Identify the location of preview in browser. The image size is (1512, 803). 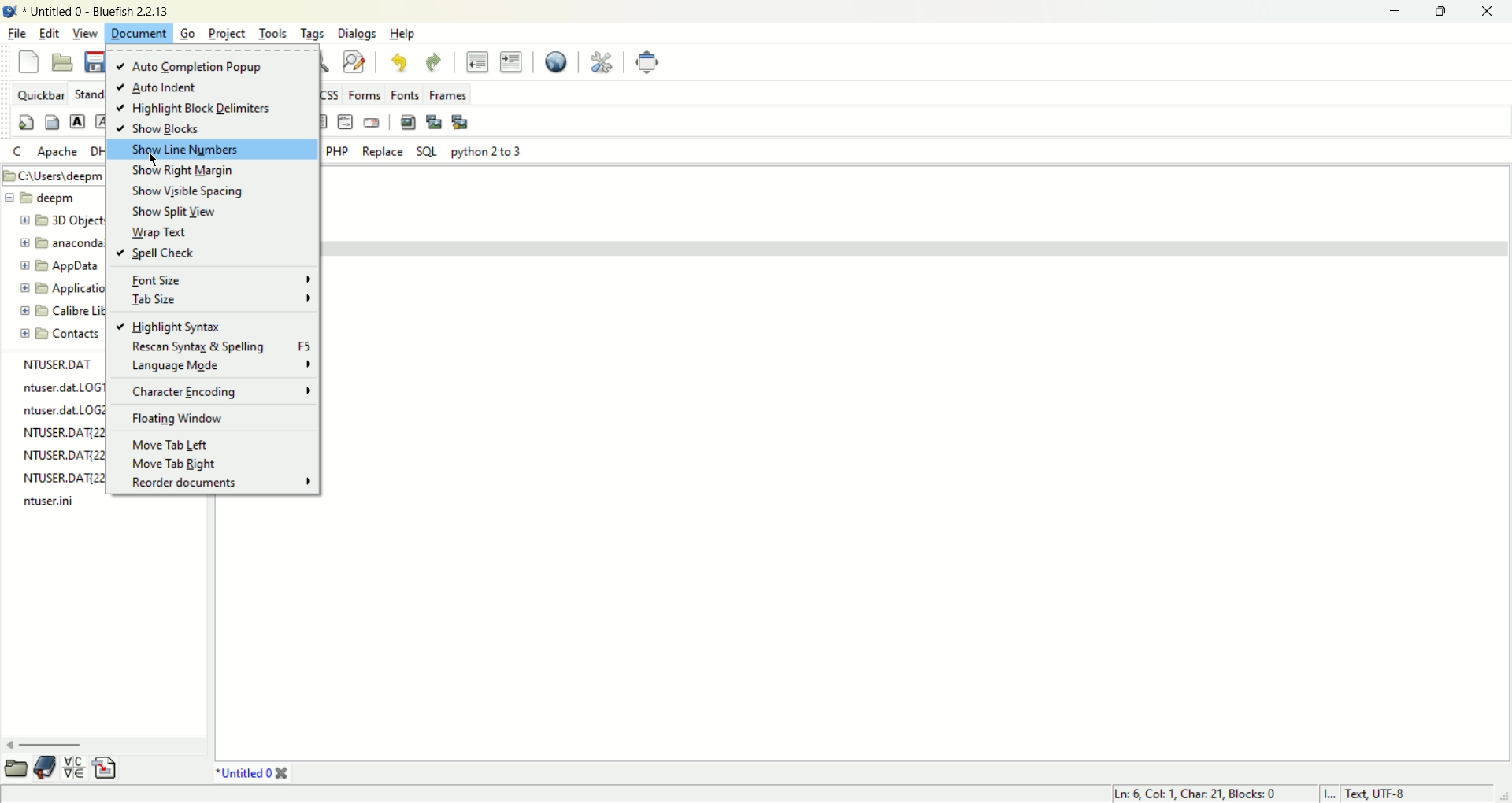
(558, 61).